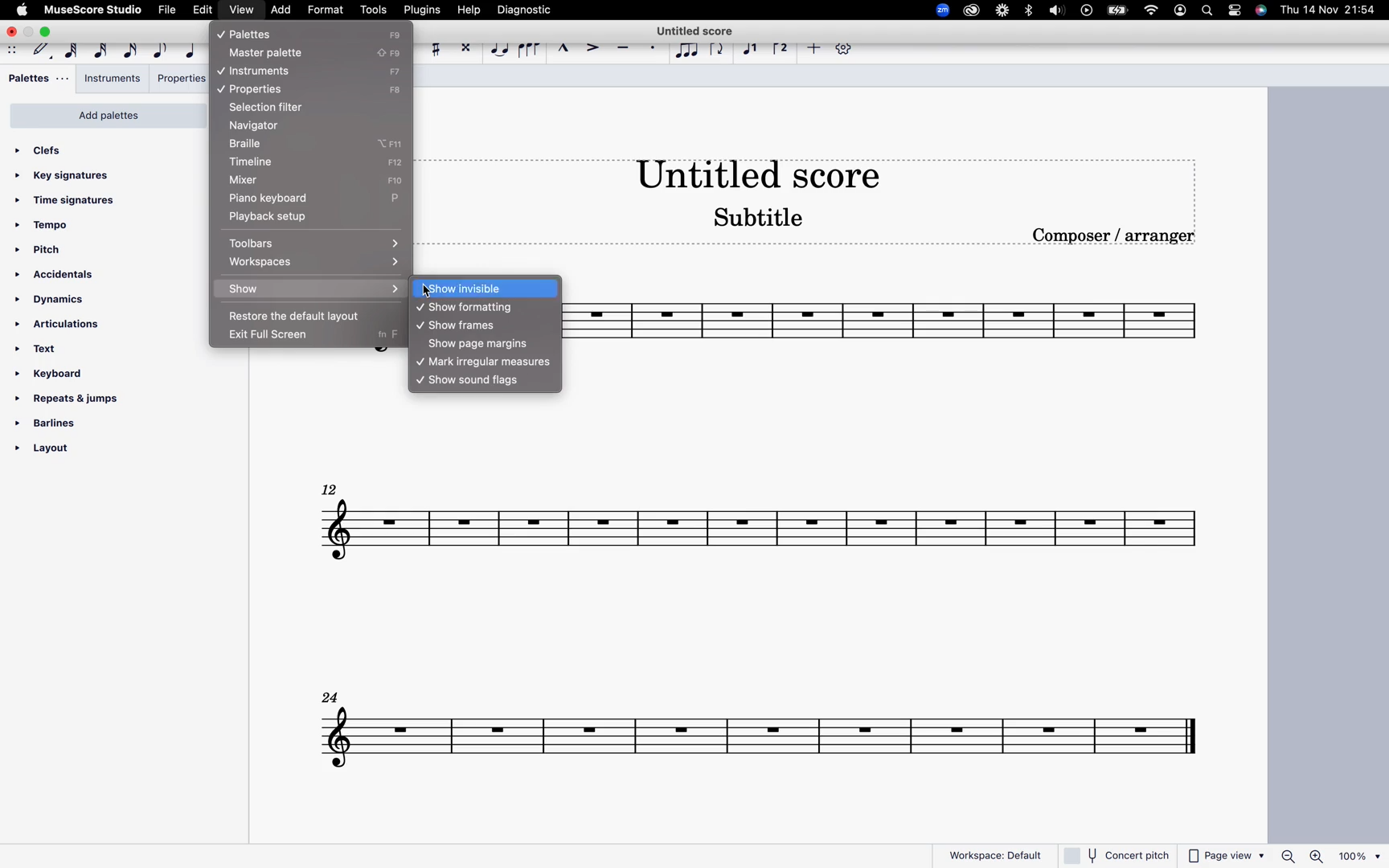  What do you see at coordinates (71, 175) in the screenshot?
I see `key signatures` at bounding box center [71, 175].